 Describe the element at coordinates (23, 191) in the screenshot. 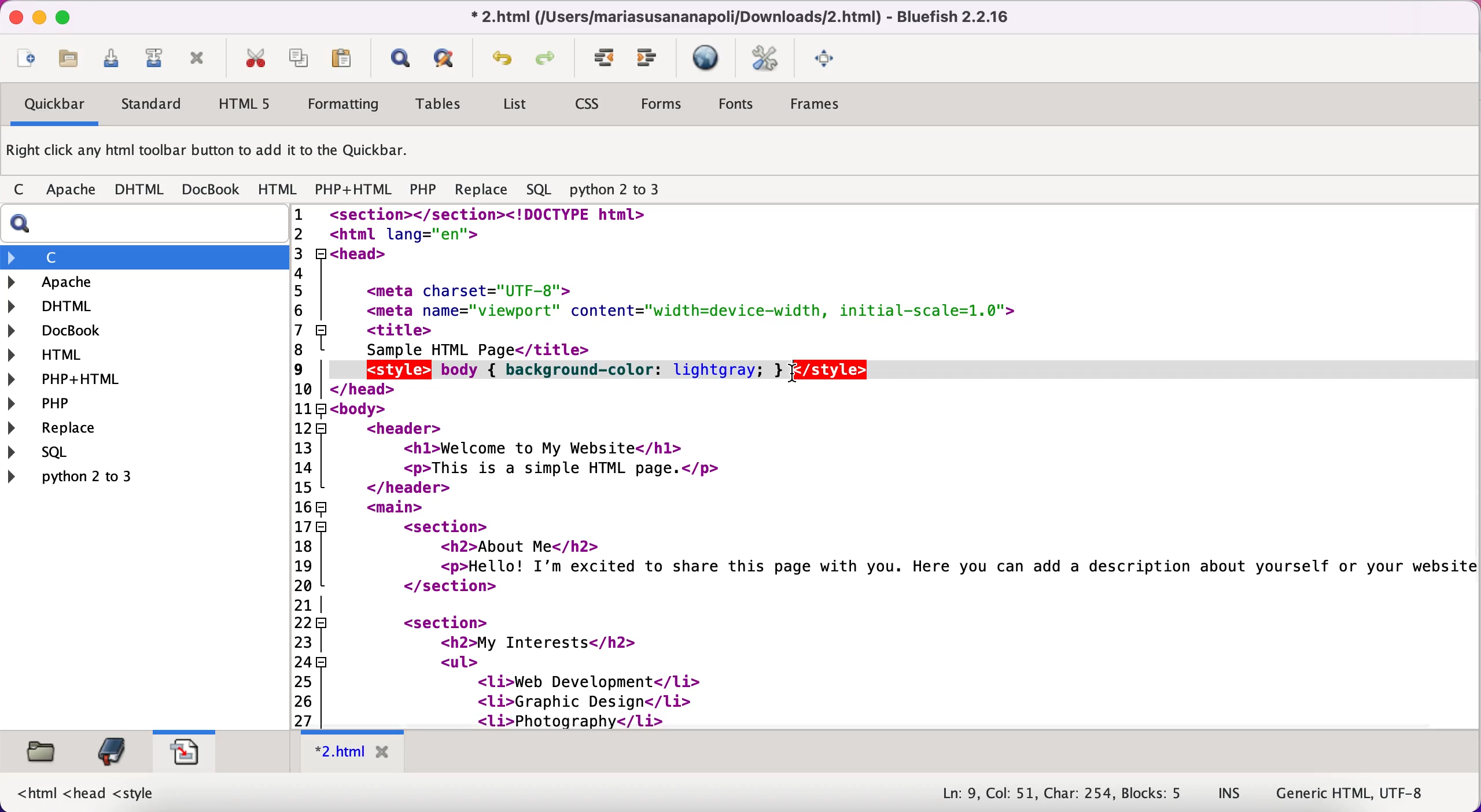

I see `c` at that location.